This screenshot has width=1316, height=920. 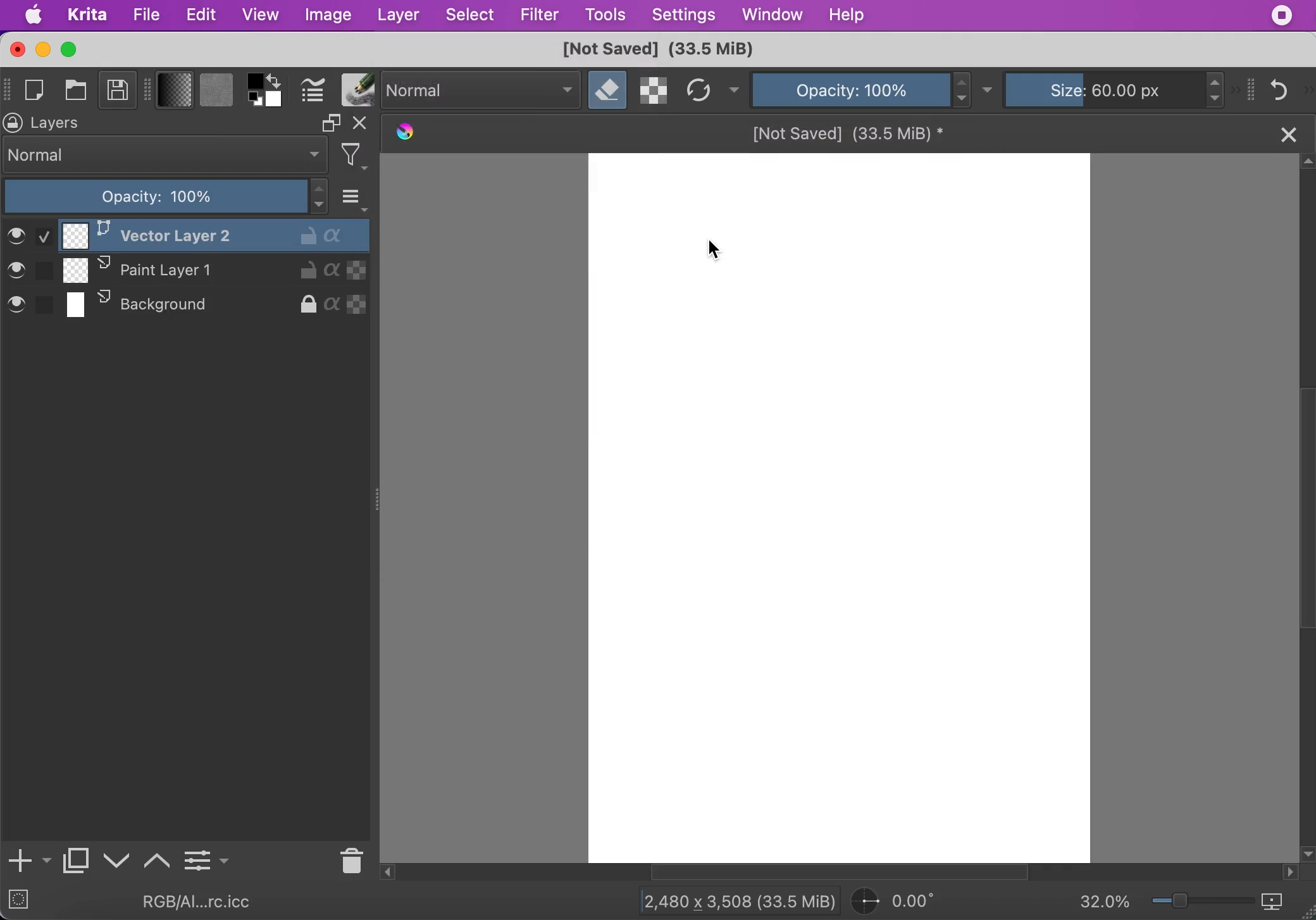 What do you see at coordinates (278, 80) in the screenshot?
I see `swap foreground and background colors` at bounding box center [278, 80].